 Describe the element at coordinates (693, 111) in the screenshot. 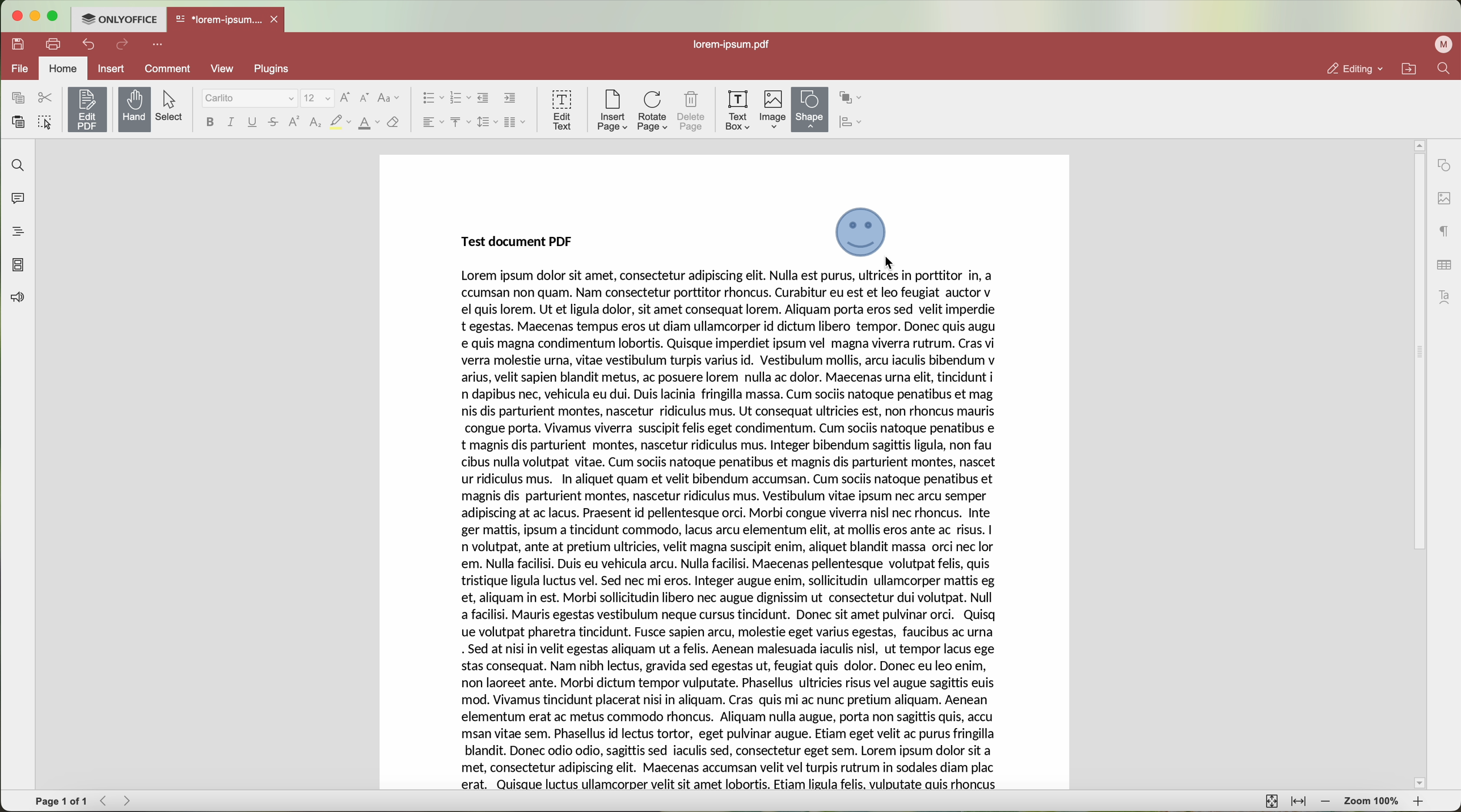

I see `delete page` at that location.